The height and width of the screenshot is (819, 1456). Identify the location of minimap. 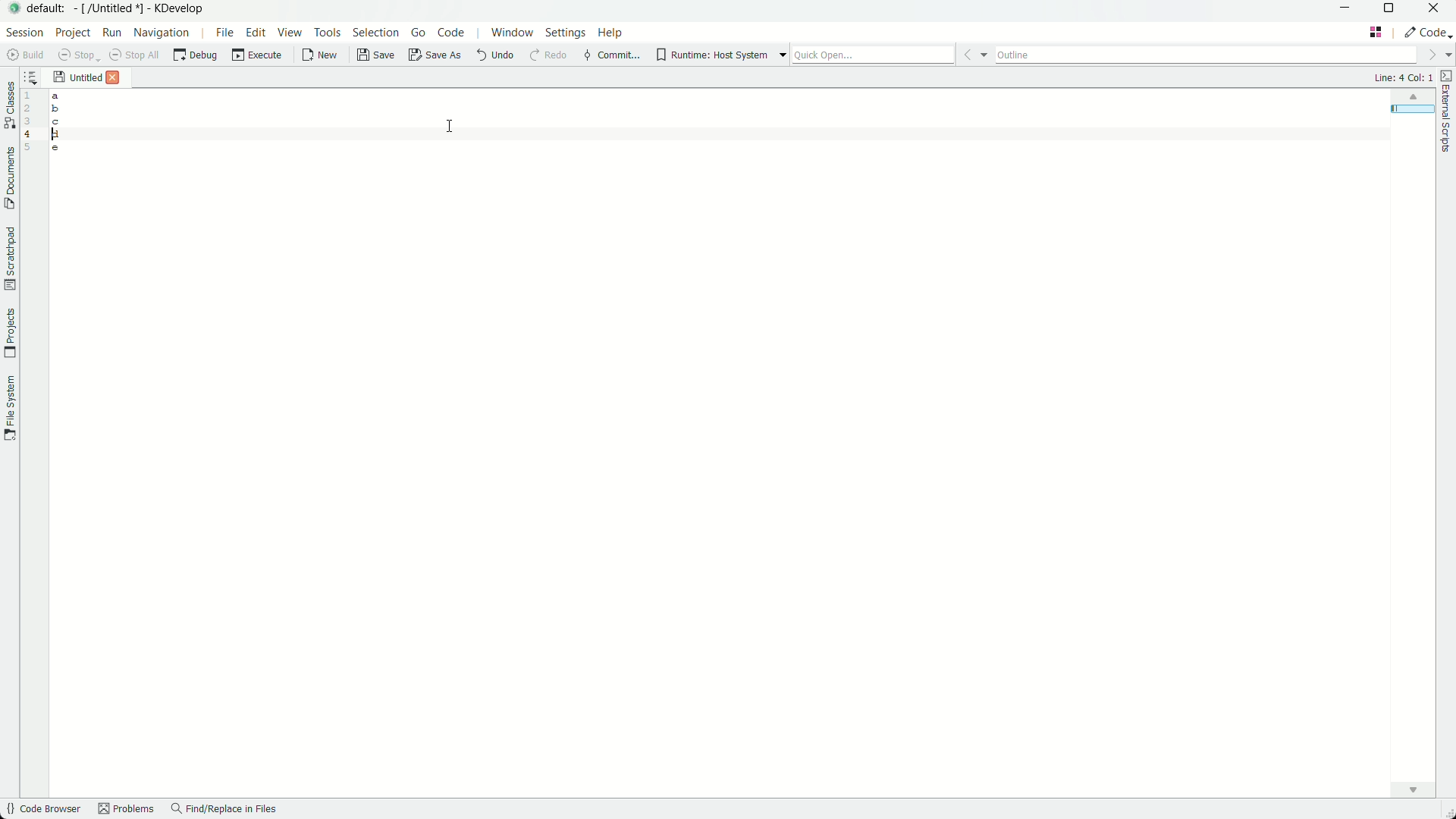
(1410, 98).